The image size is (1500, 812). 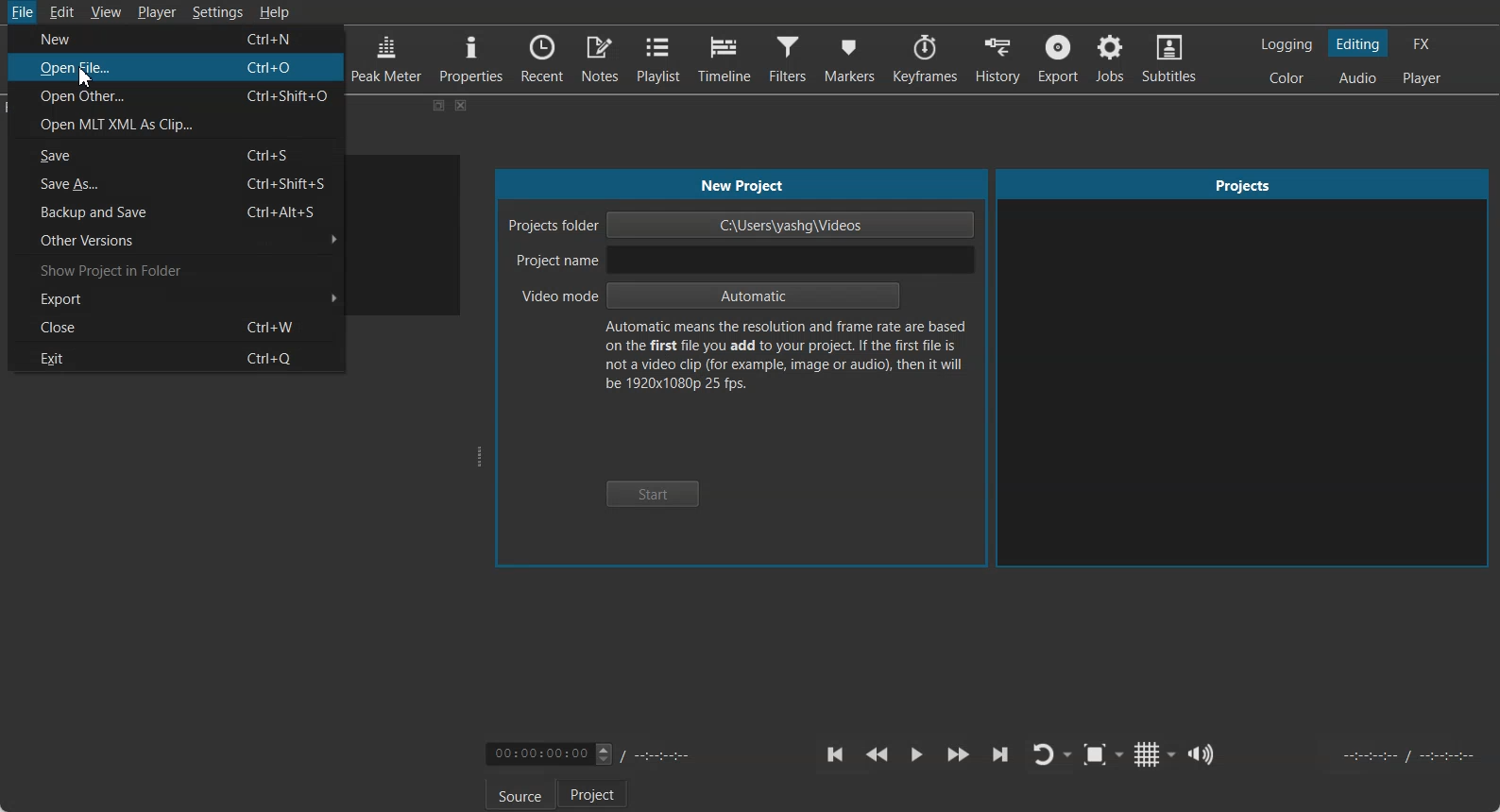 I want to click on Ctrl+O, so click(x=275, y=68).